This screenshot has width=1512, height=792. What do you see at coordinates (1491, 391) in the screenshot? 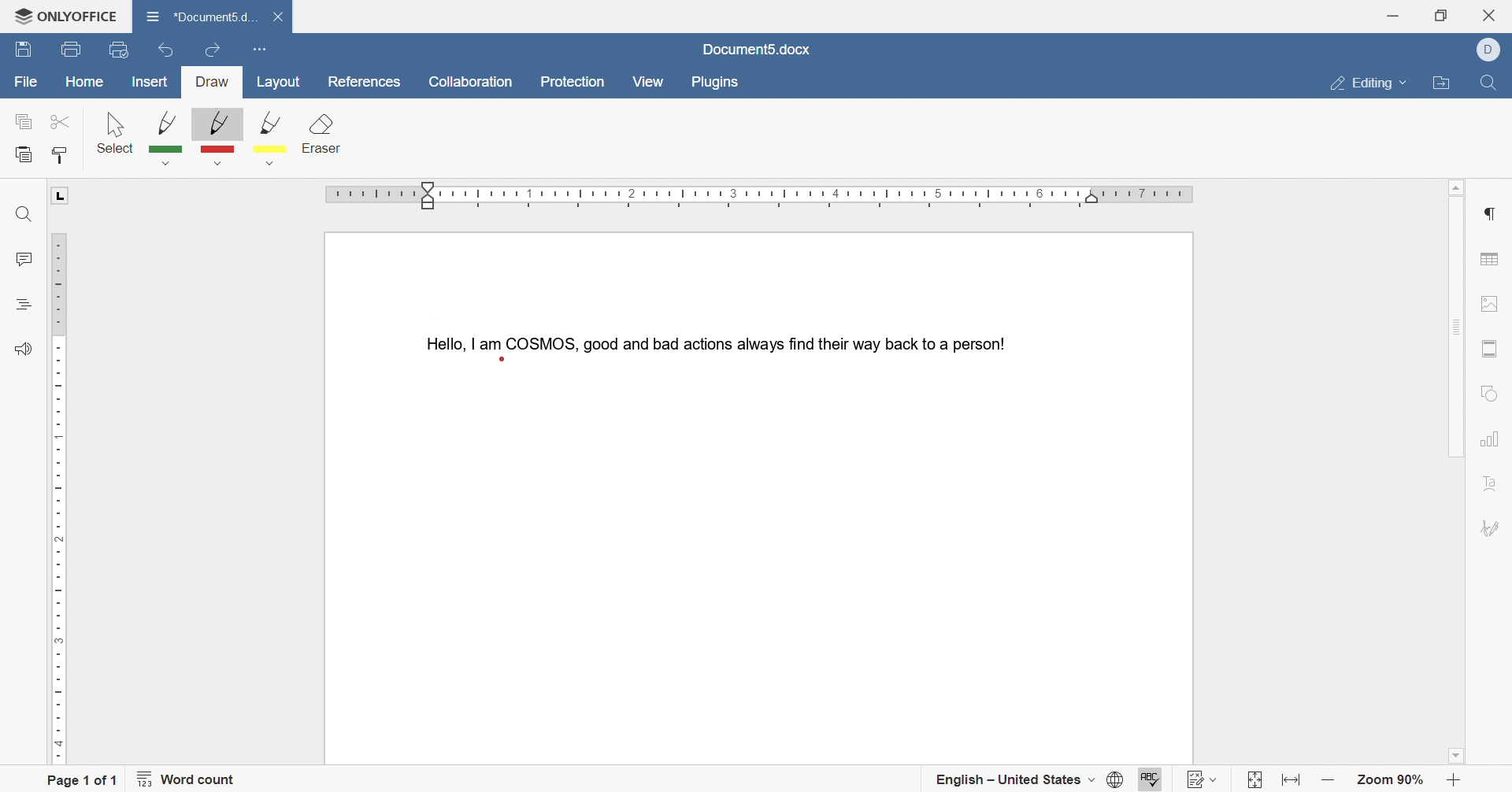
I see `shape settings` at bounding box center [1491, 391].